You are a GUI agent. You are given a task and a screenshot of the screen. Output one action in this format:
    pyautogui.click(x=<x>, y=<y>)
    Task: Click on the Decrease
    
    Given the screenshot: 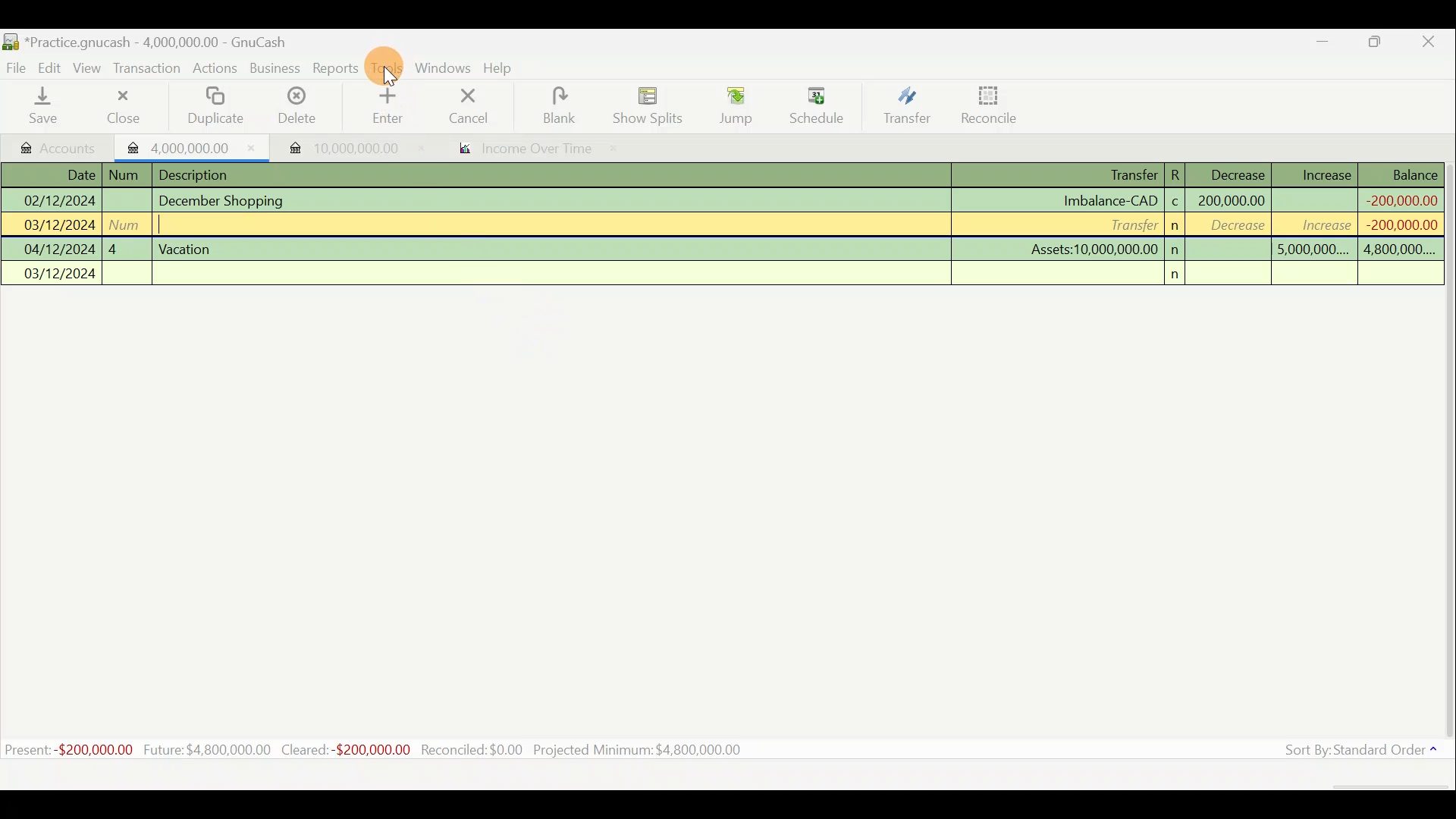 What is the action you would take?
    pyautogui.click(x=1237, y=174)
    